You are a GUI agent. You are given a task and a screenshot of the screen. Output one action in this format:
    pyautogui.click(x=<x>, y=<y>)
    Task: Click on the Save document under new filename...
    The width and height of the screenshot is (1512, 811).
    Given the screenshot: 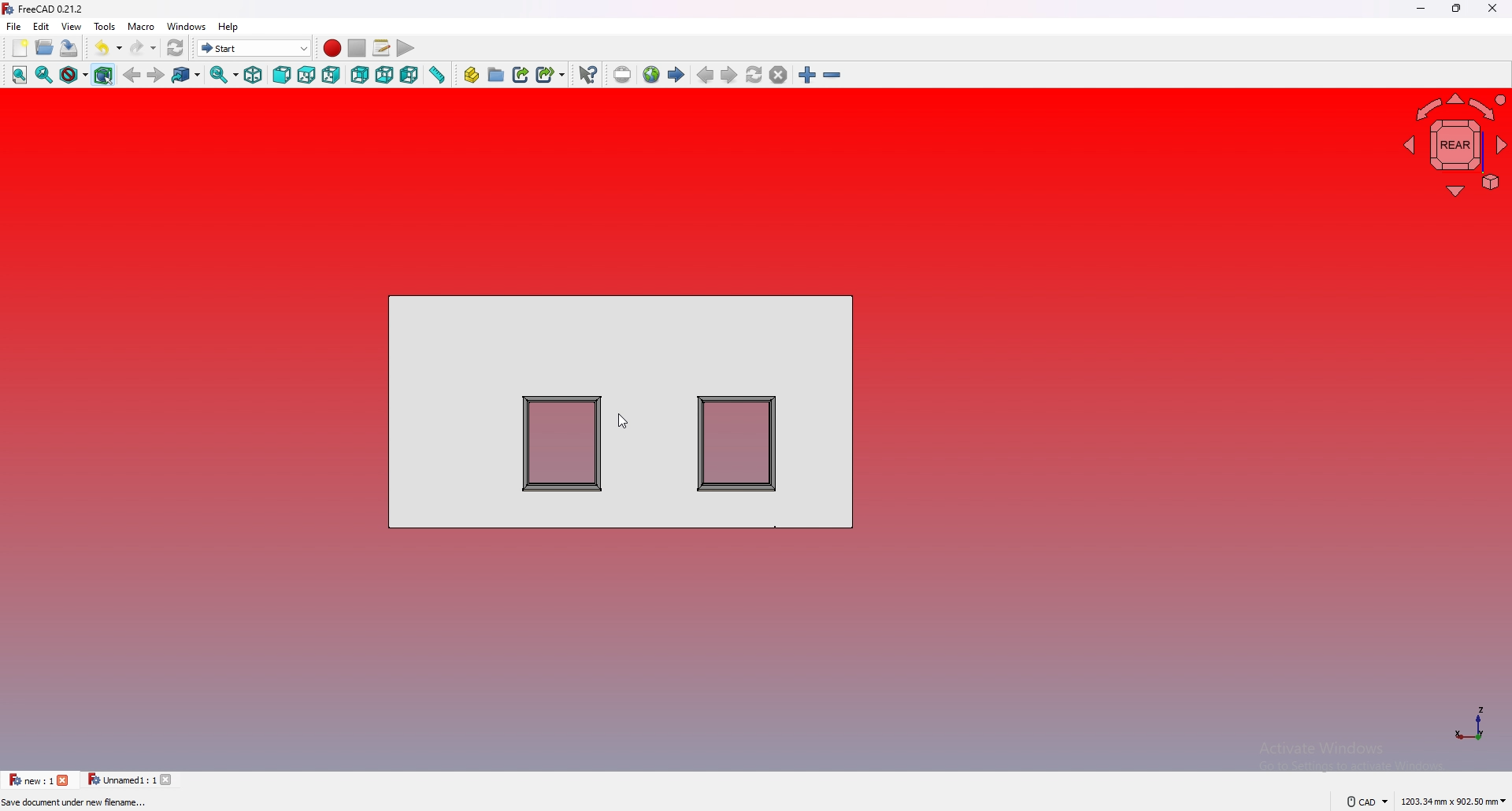 What is the action you would take?
    pyautogui.click(x=80, y=803)
    